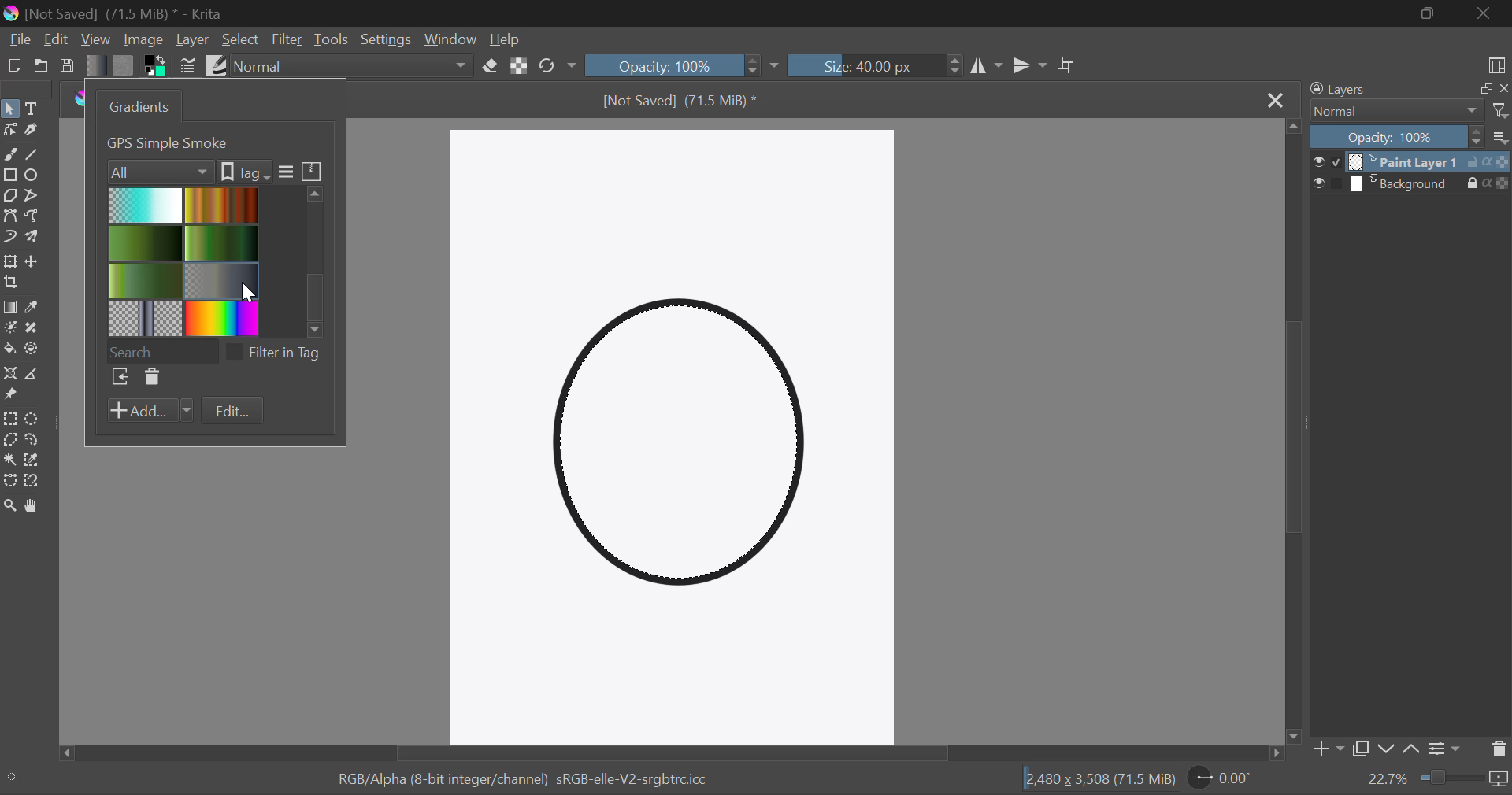 This screenshot has height=795, width=1512. I want to click on icon, so click(313, 170).